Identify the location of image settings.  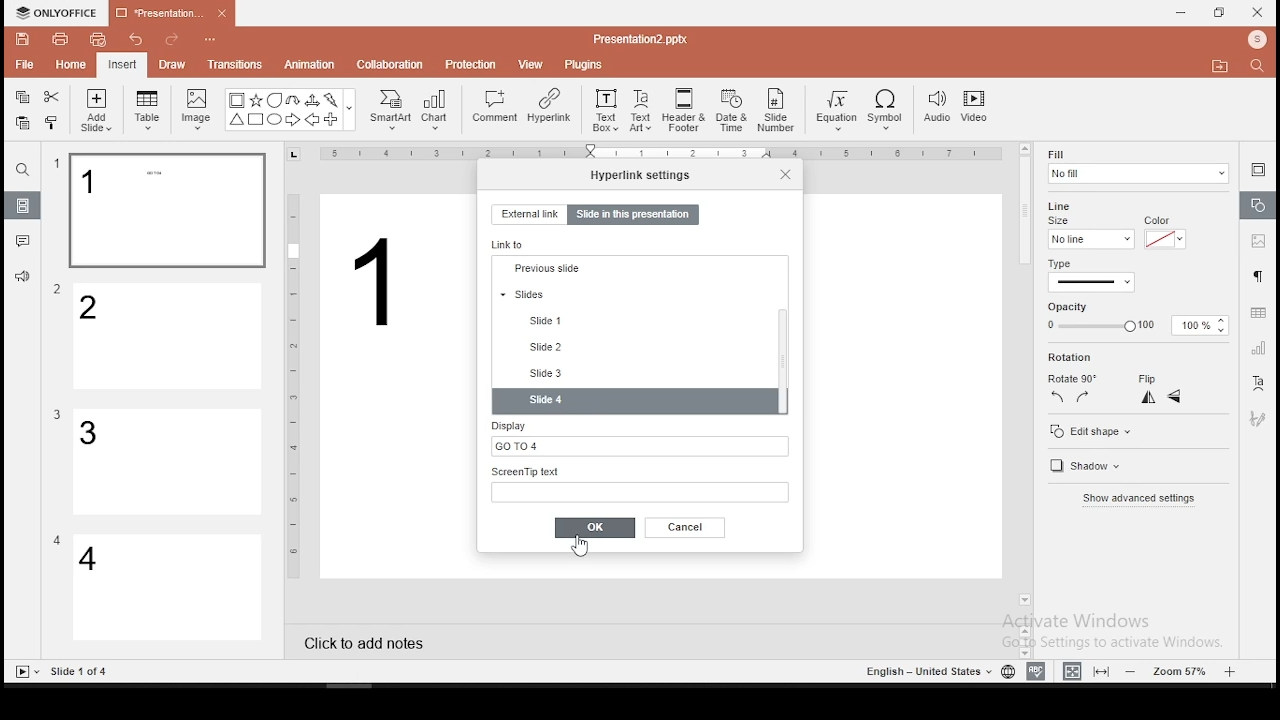
(1256, 243).